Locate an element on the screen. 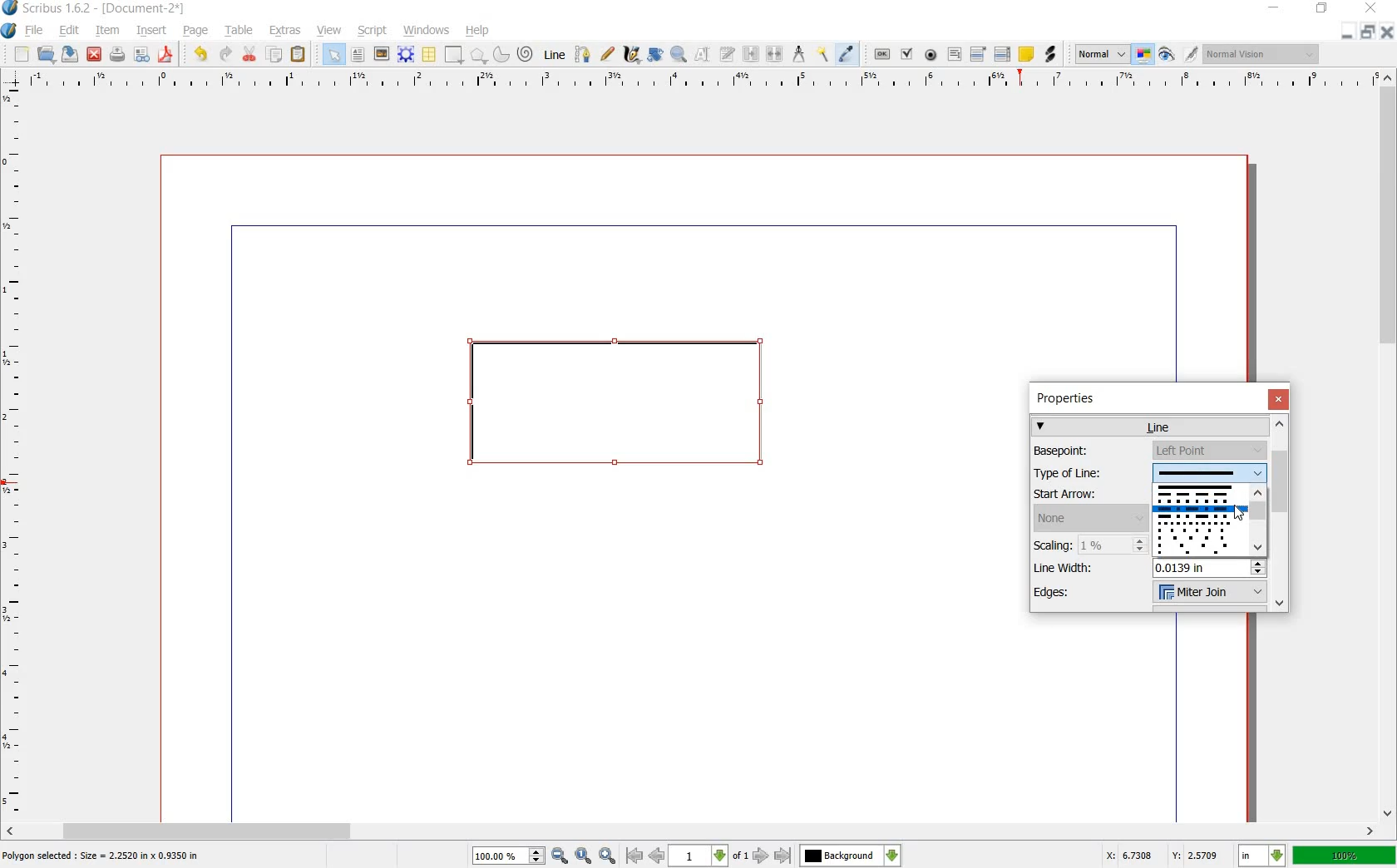 The image size is (1397, 868). Start Arrow: is located at coordinates (1085, 495).